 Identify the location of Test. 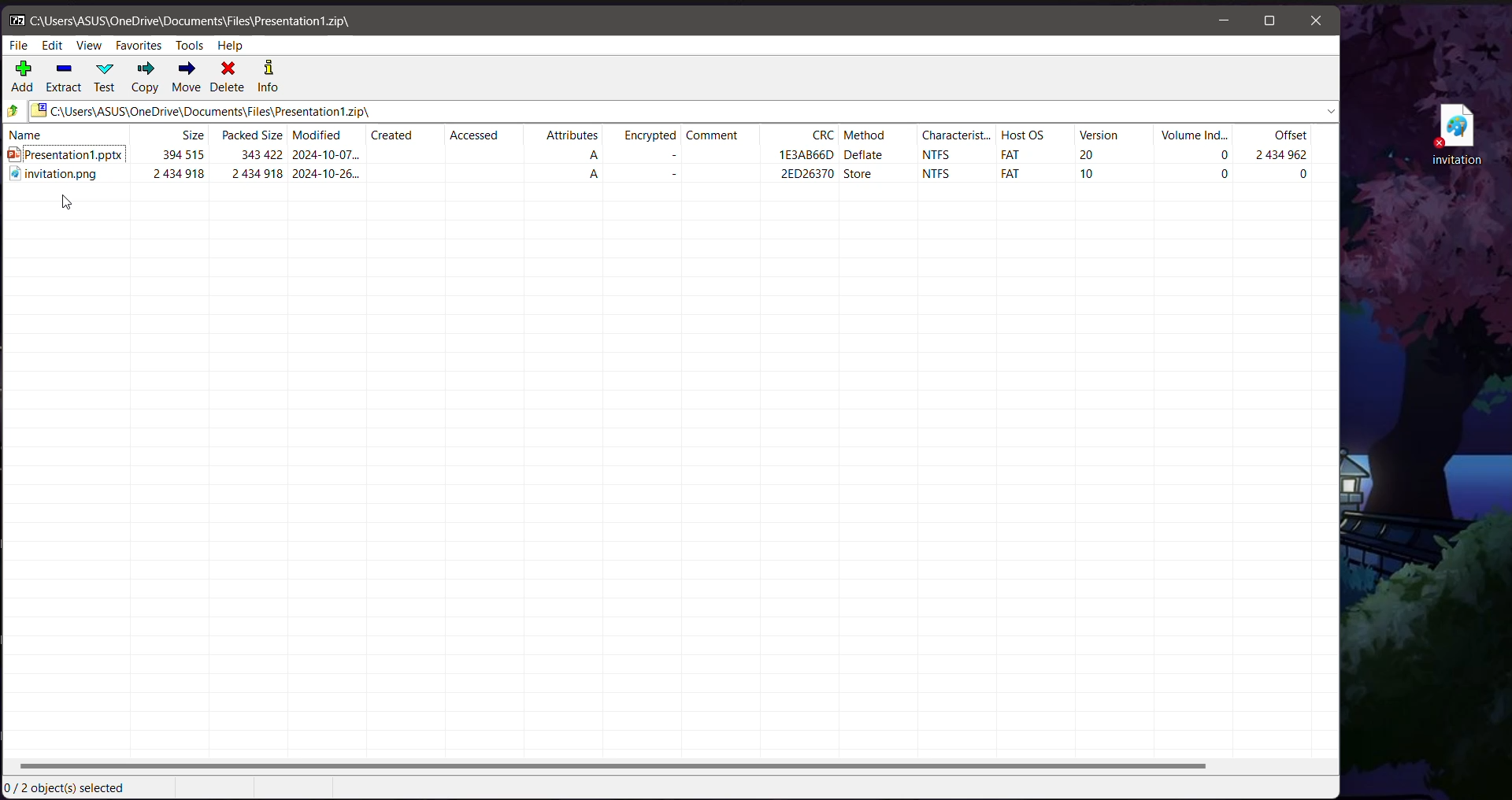
(106, 76).